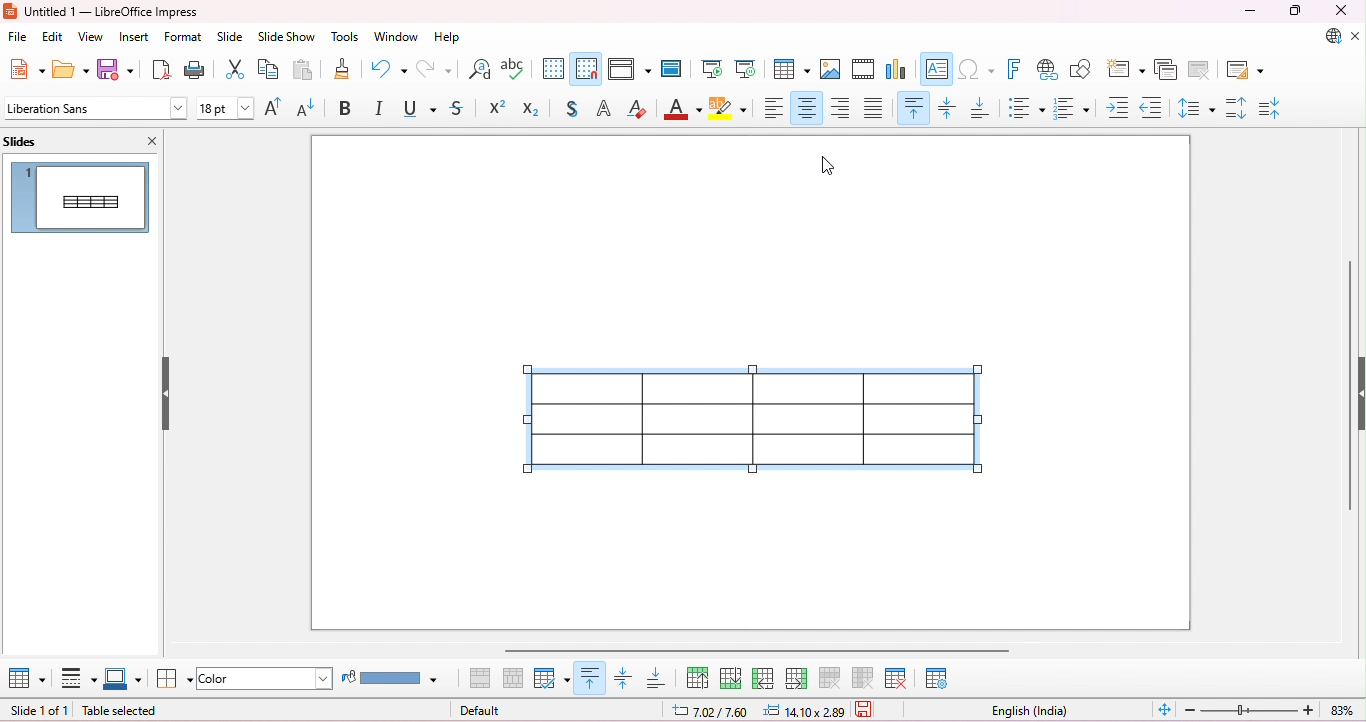 The image size is (1366, 722). What do you see at coordinates (347, 109) in the screenshot?
I see `Bold` at bounding box center [347, 109].